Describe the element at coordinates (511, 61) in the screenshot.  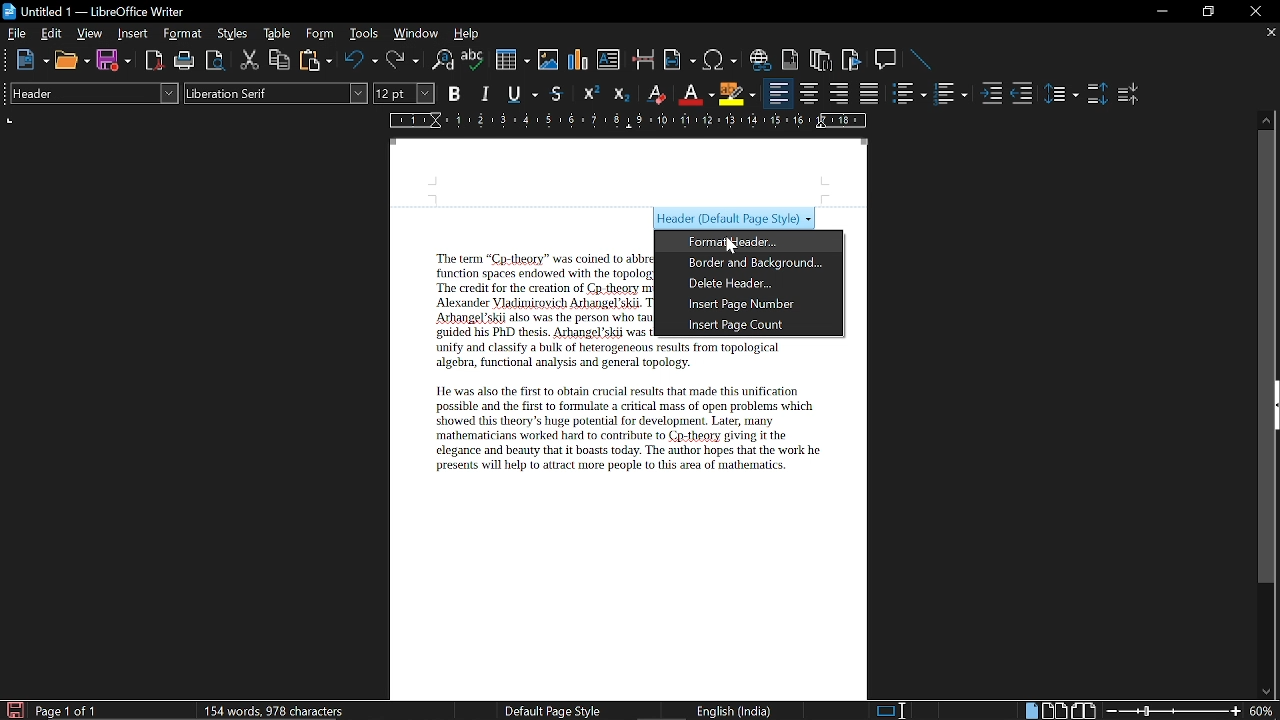
I see `Insert table` at that location.